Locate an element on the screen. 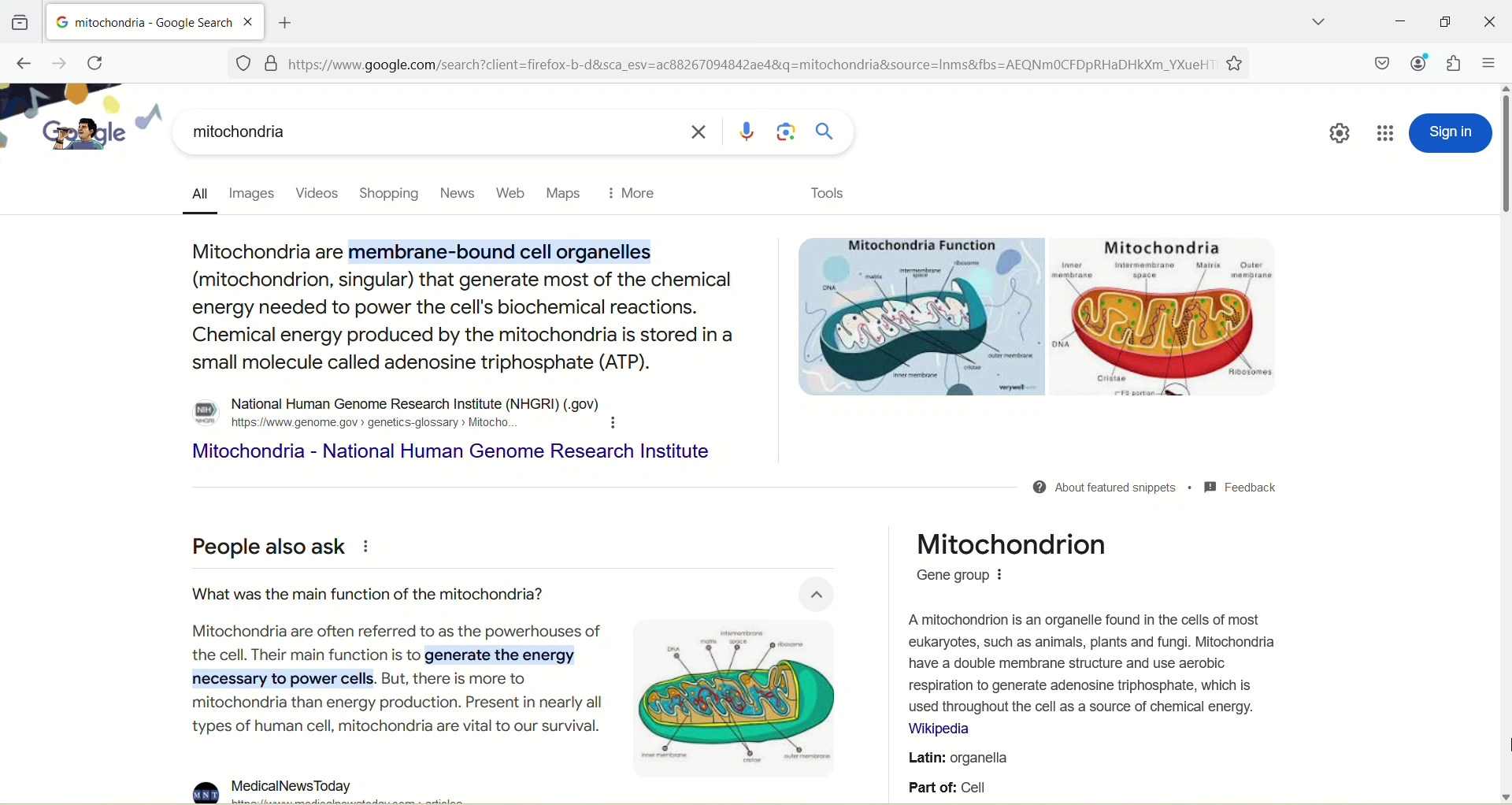  more is located at coordinates (643, 193).